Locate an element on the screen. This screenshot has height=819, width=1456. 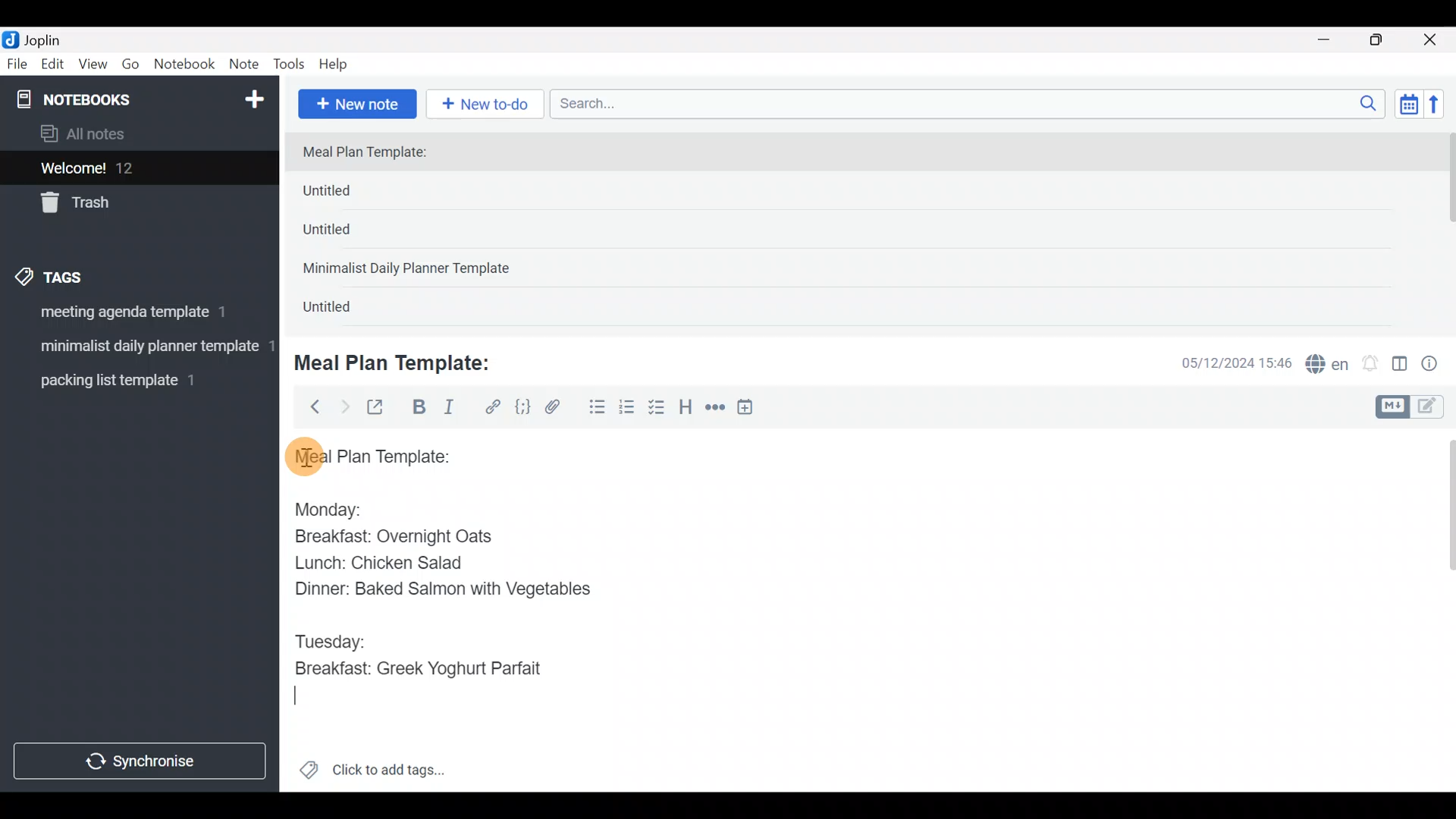
Cursor is located at coordinates (304, 701).